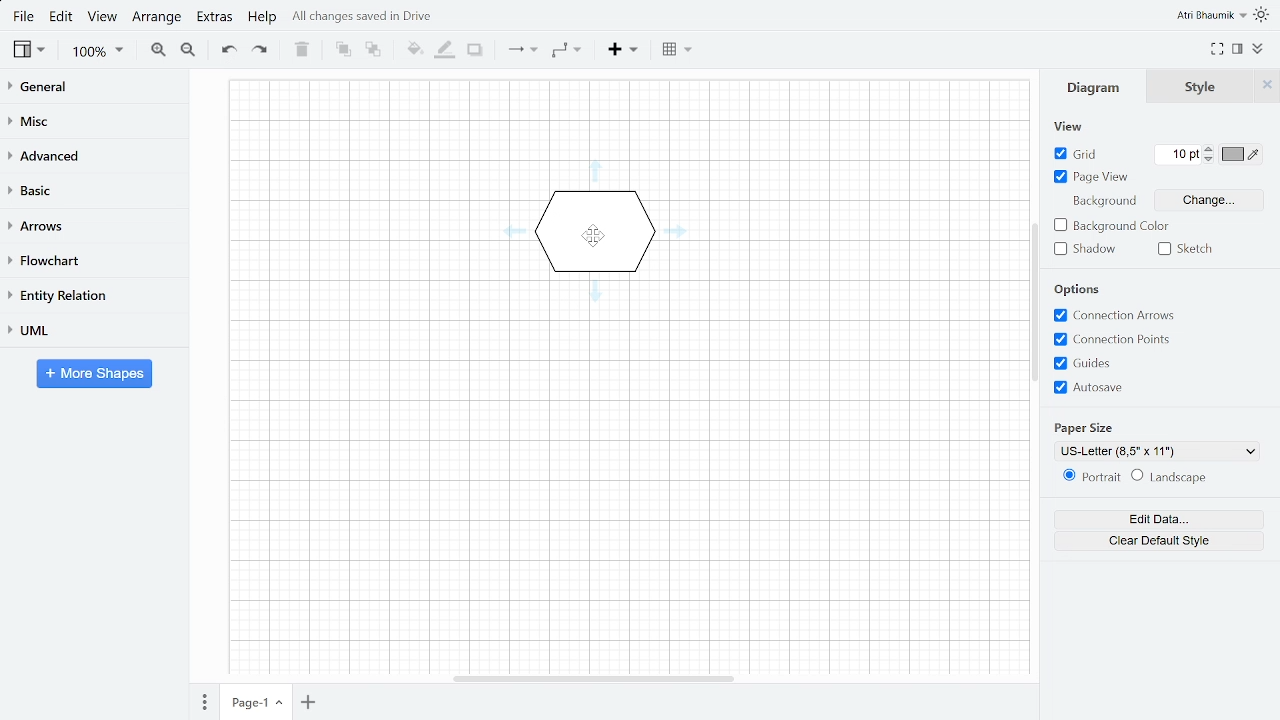 This screenshot has height=720, width=1280. I want to click on Grid, so click(1076, 154).